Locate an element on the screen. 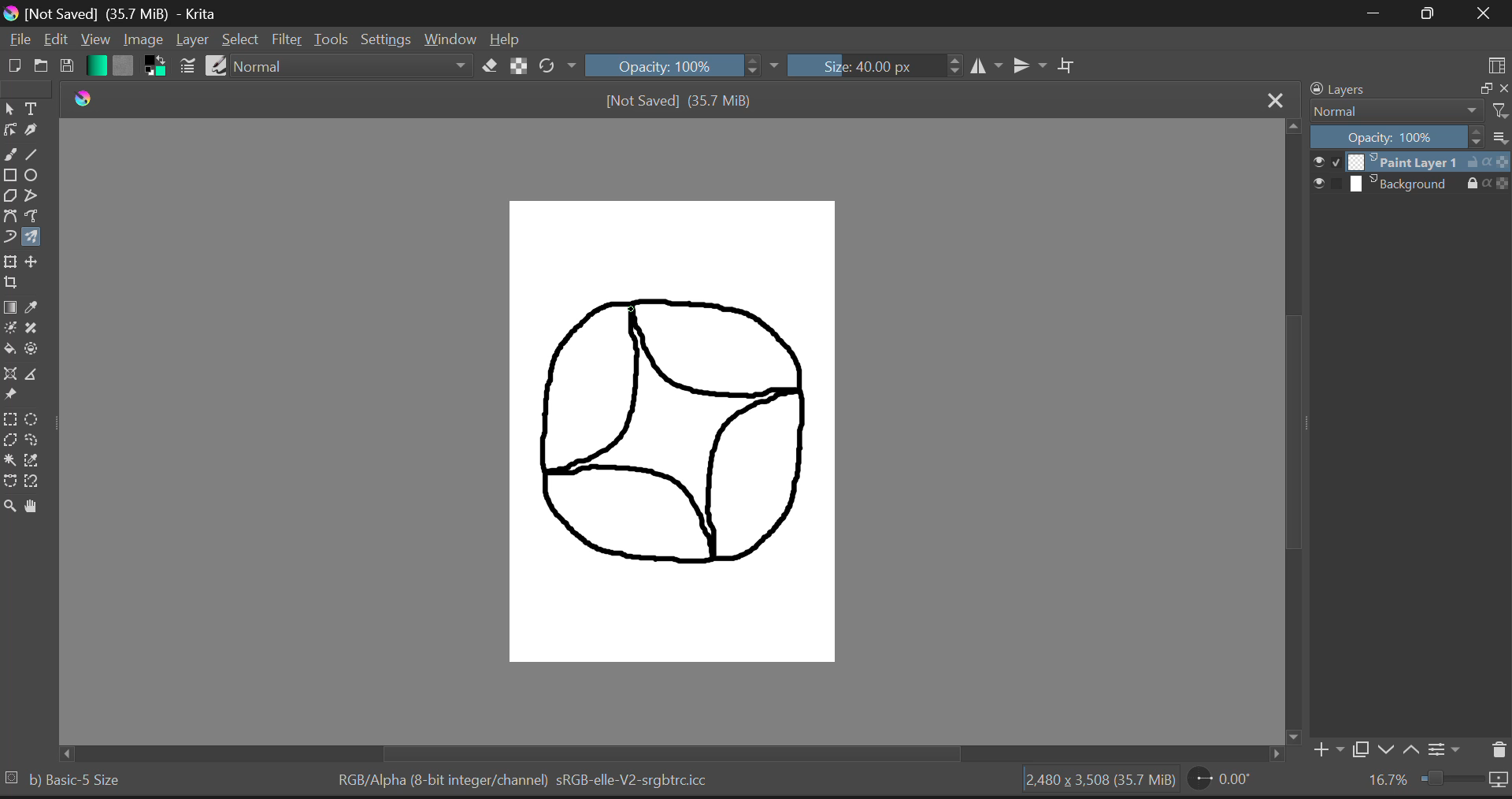  Image is located at coordinates (143, 40).